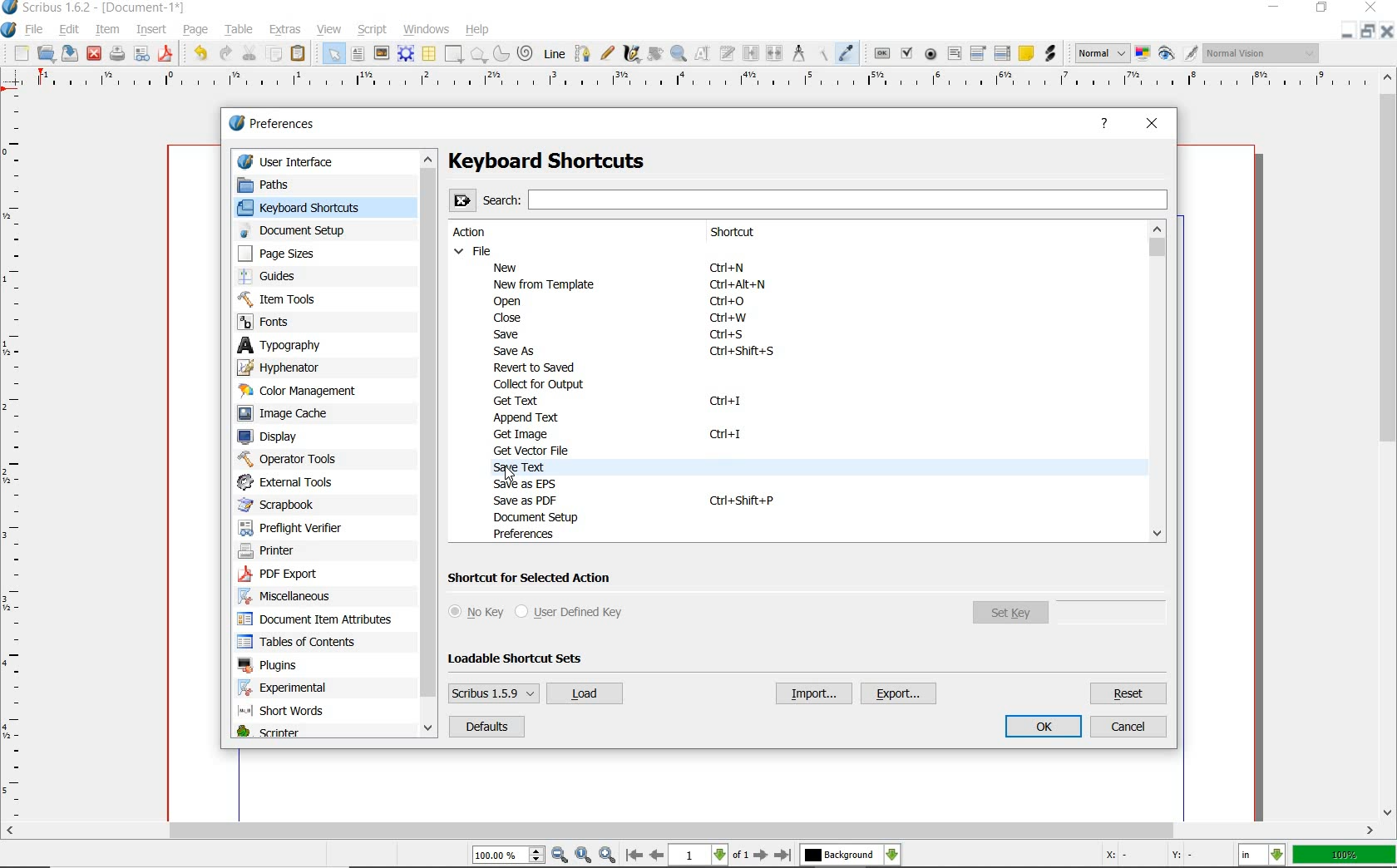 This screenshot has height=868, width=1397. I want to click on close, so click(504, 318).